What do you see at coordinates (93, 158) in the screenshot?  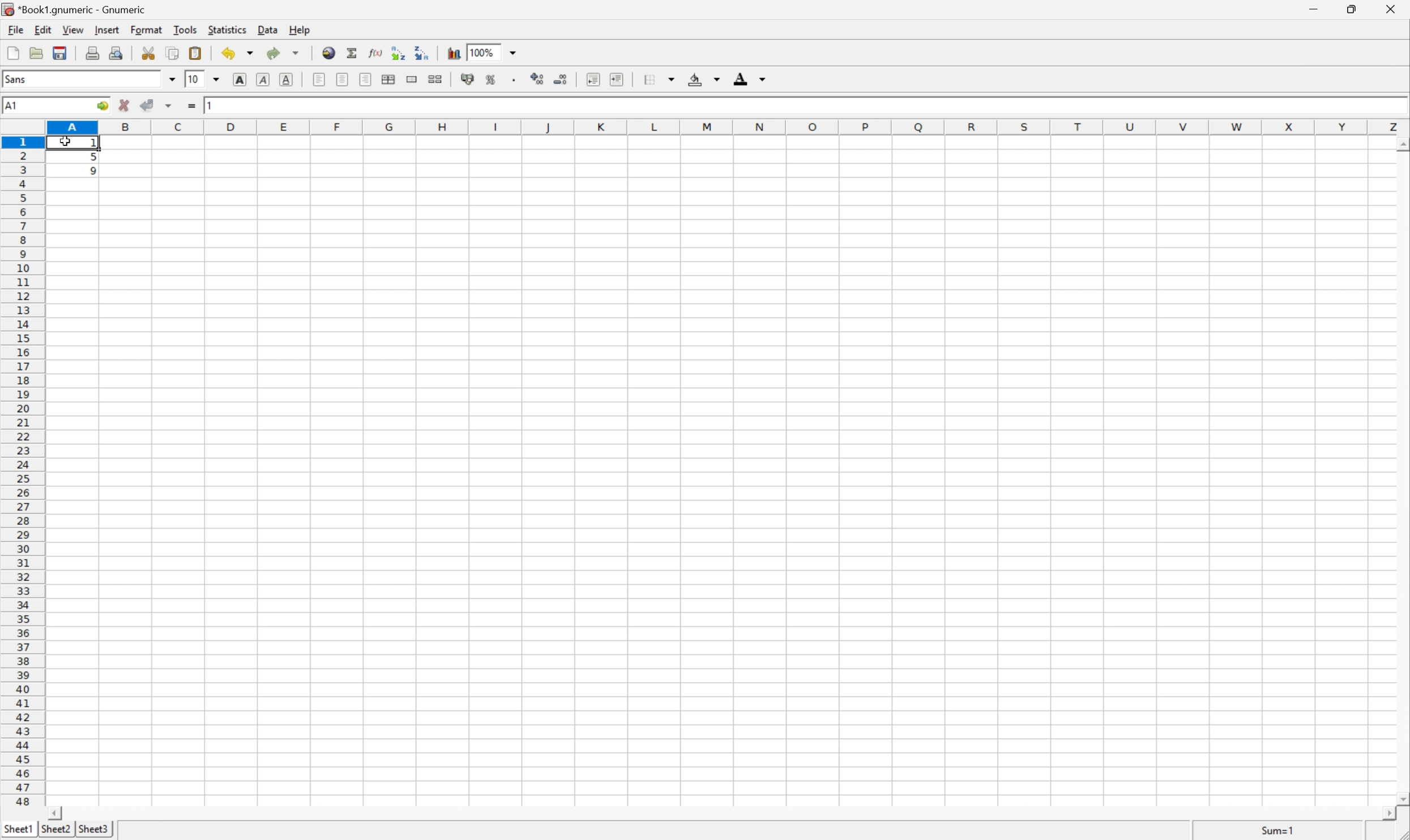 I see `5` at bounding box center [93, 158].